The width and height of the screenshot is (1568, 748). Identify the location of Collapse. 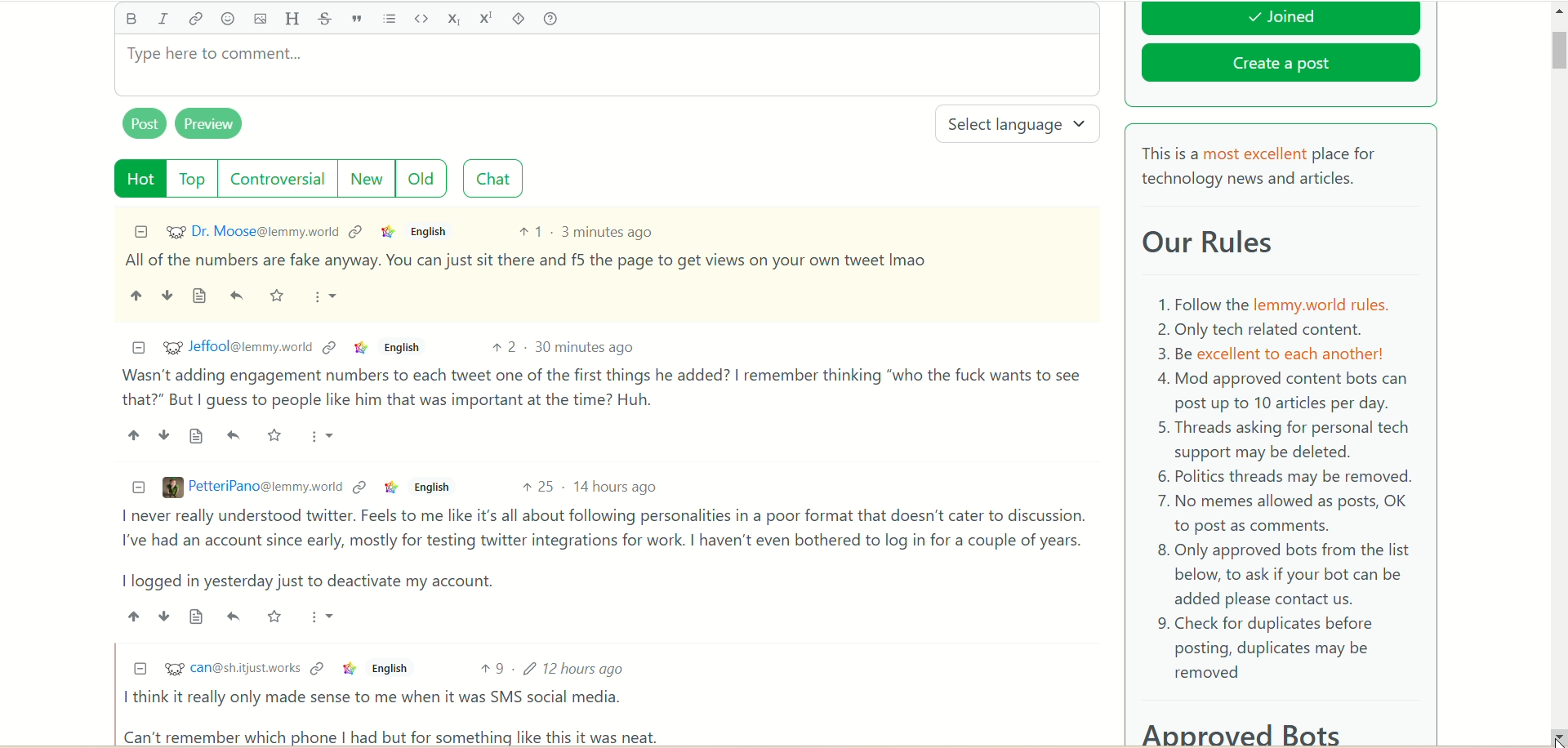
(138, 349).